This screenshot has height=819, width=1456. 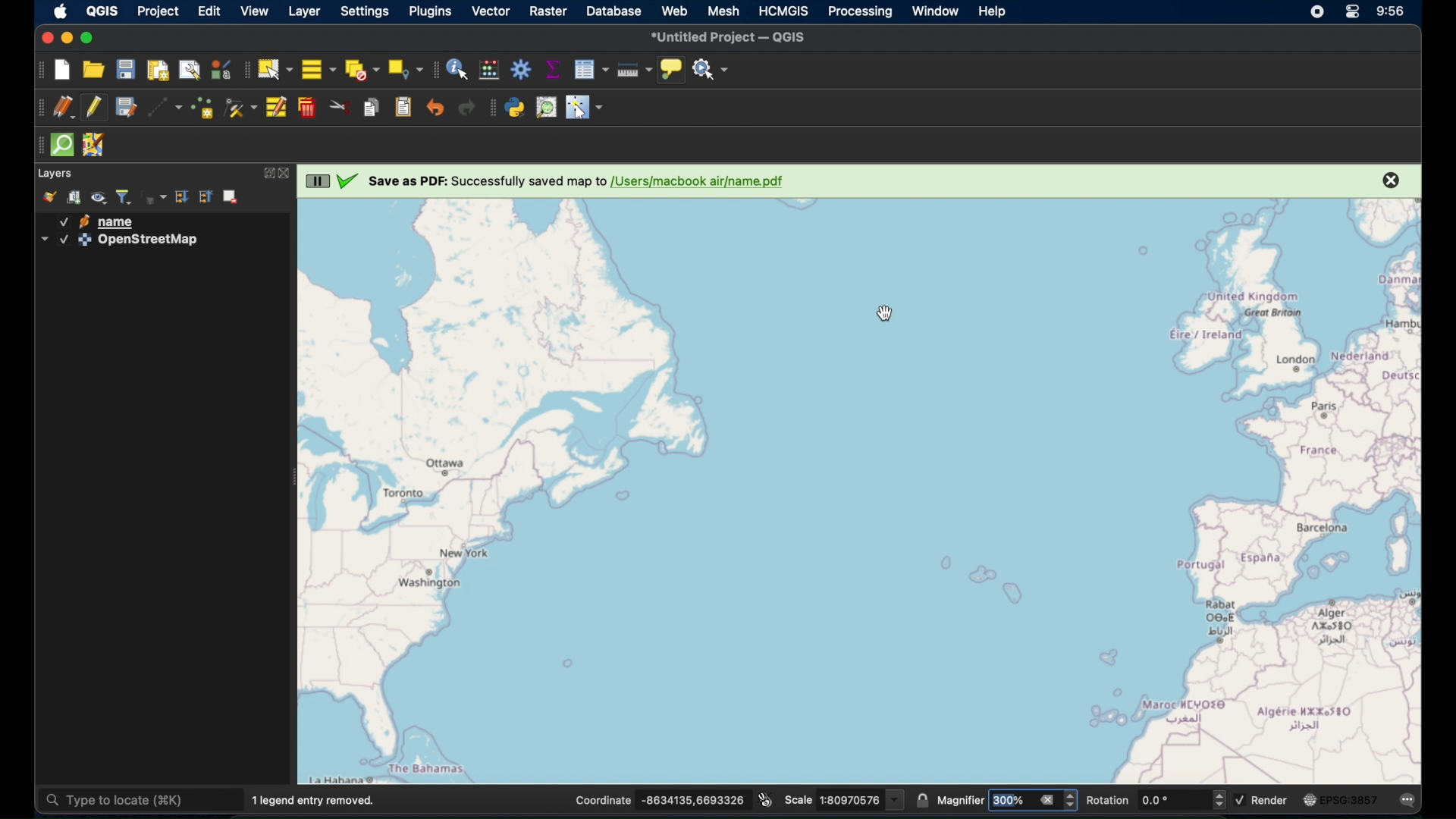 I want to click on digitize with segment, so click(x=165, y=109).